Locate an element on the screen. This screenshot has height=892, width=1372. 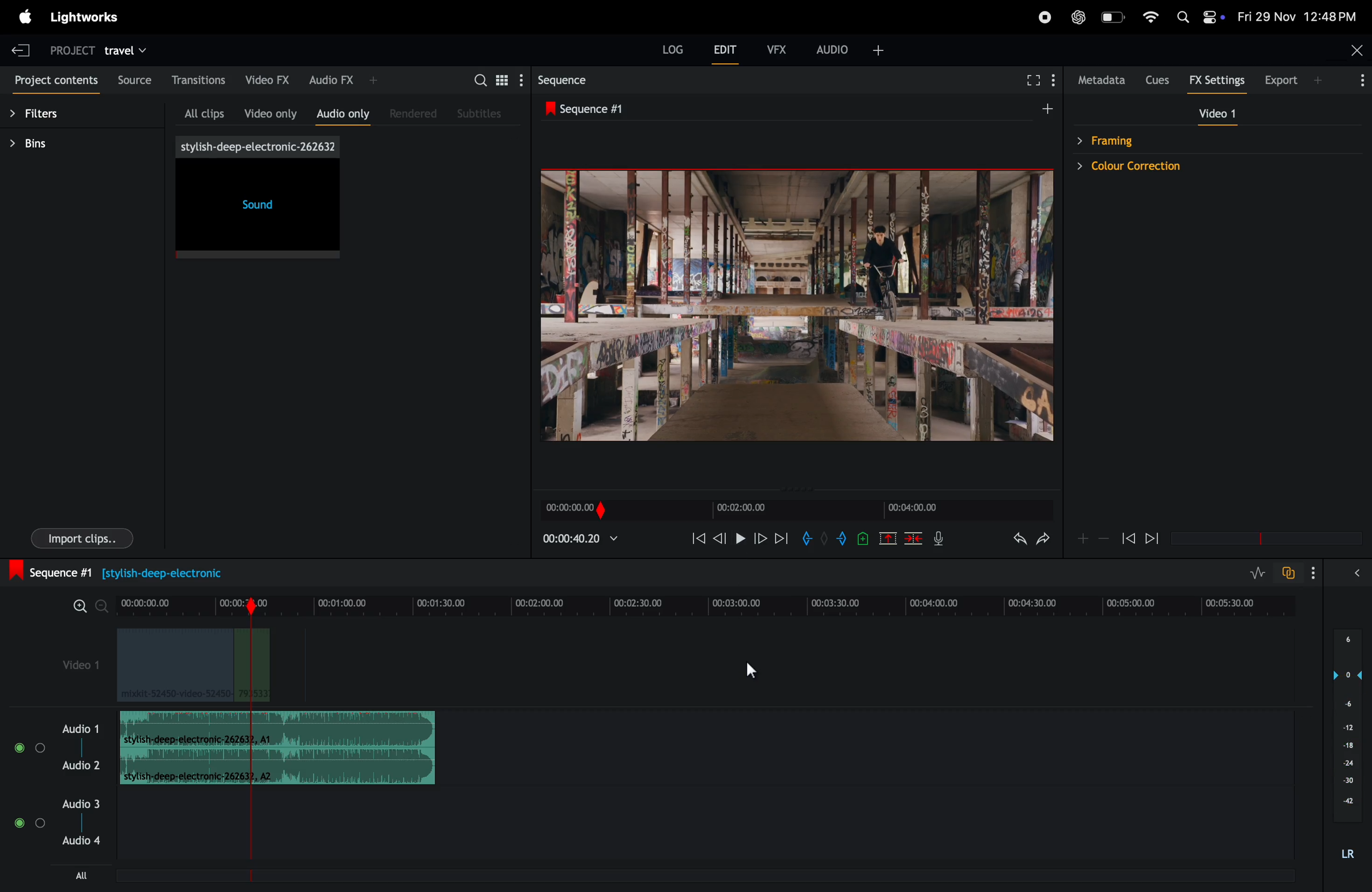
zoom in is located at coordinates (1084, 538).